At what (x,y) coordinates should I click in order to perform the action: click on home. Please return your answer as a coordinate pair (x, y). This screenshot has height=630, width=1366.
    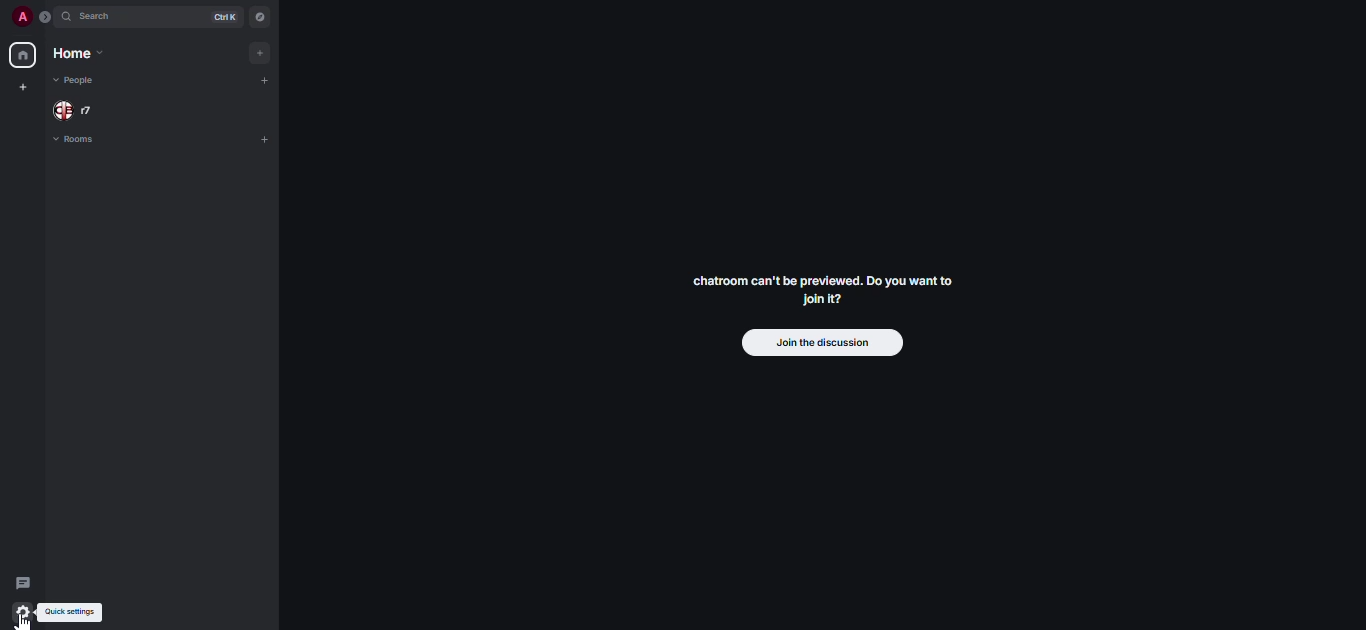
    Looking at the image, I should click on (22, 54).